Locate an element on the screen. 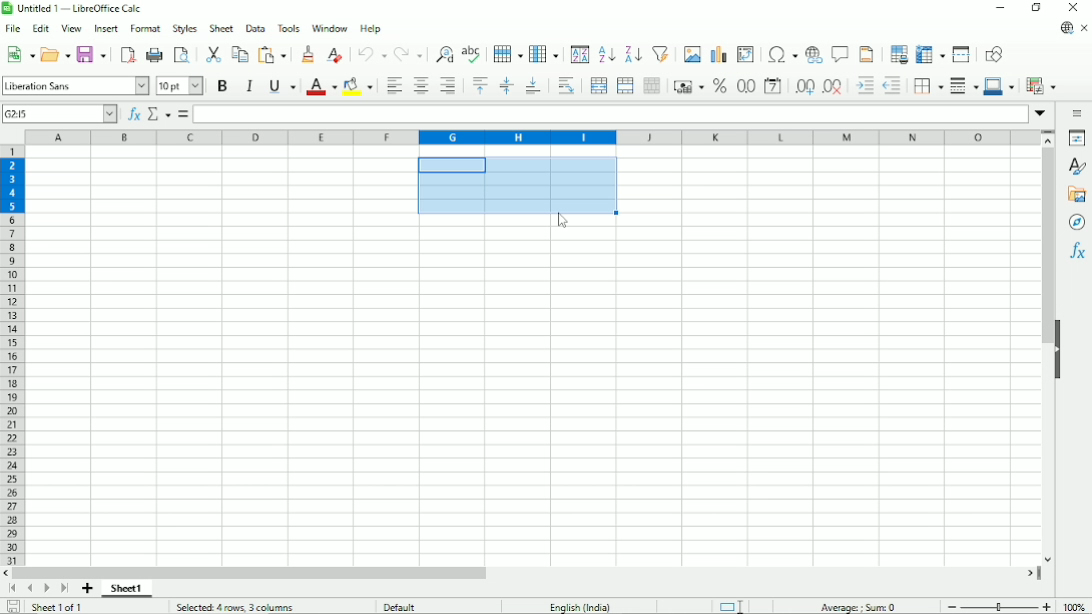 The height and width of the screenshot is (614, 1092). Borders is located at coordinates (927, 87).